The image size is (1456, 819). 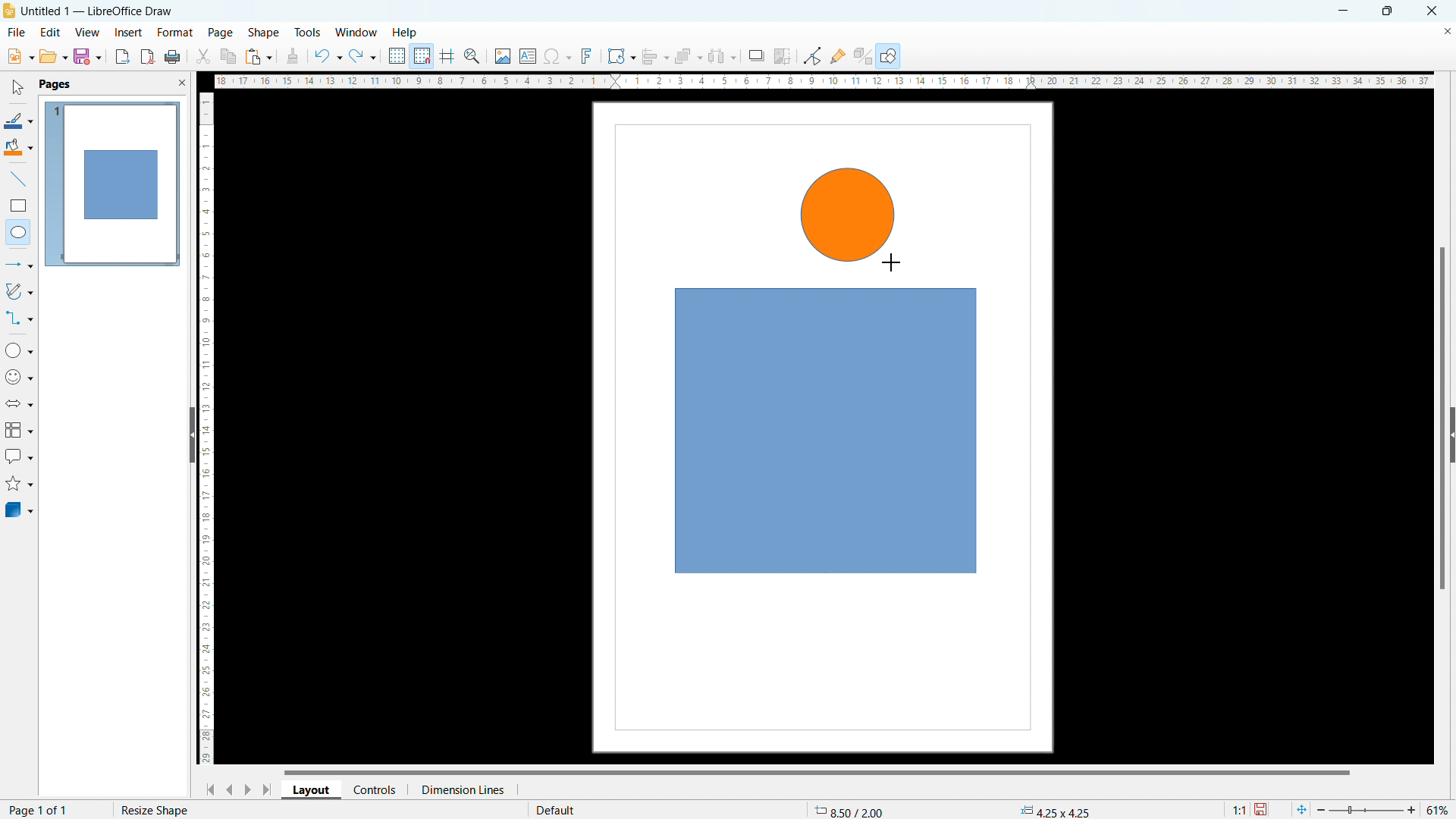 I want to click on document title, so click(x=100, y=11).